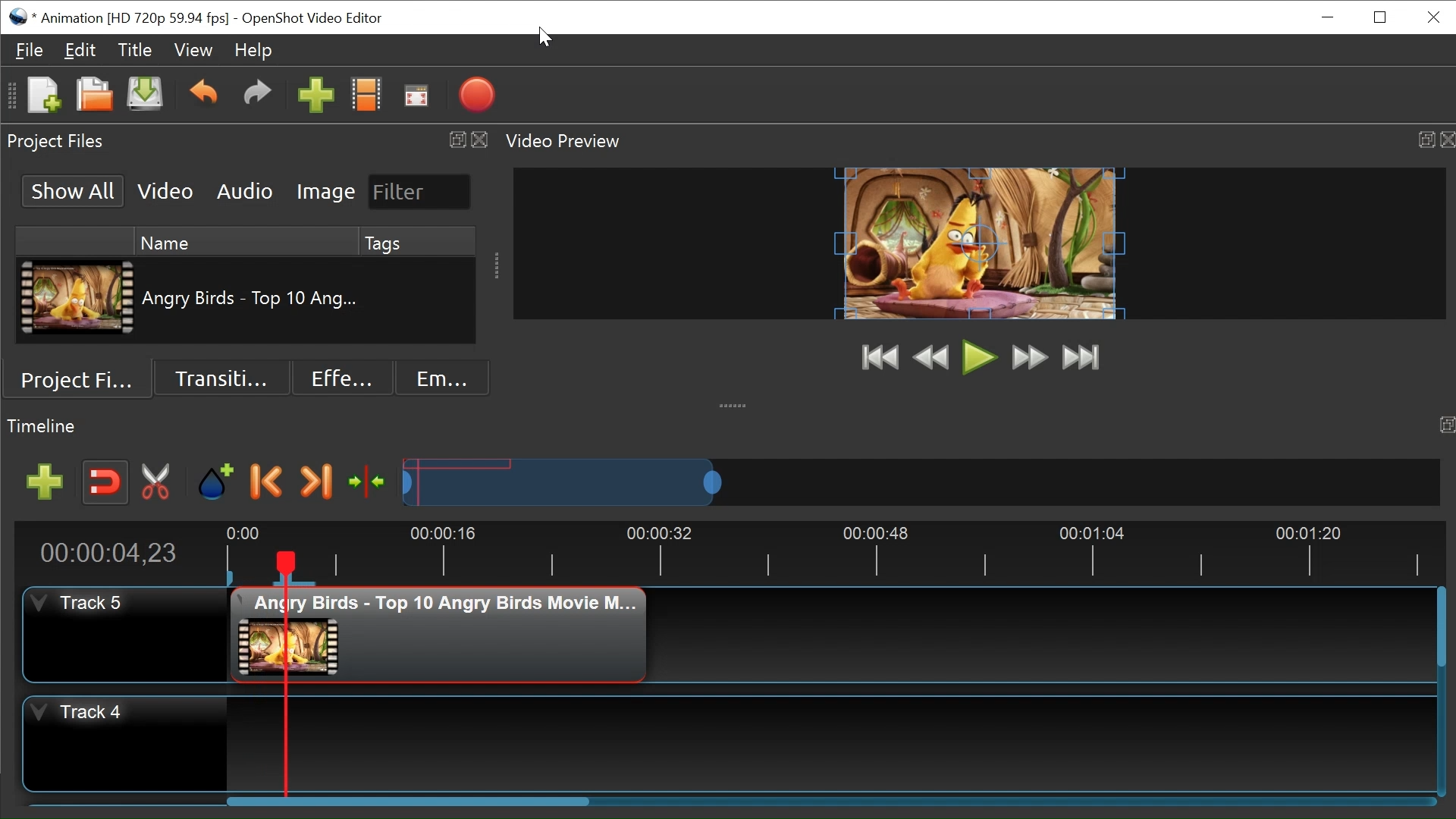 Image resolution: width=1456 pixels, height=819 pixels. I want to click on Jump to Start, so click(881, 359).